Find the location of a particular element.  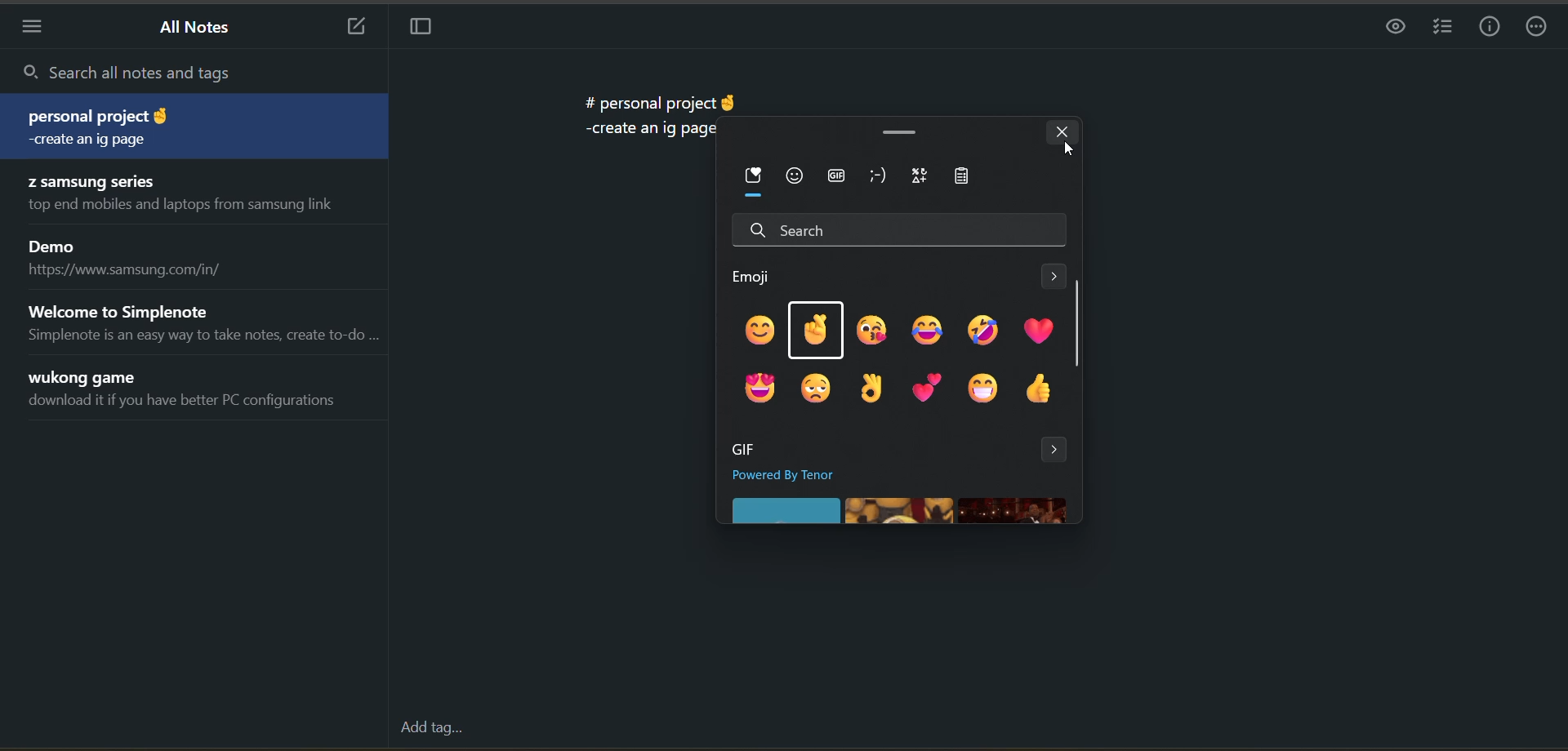

kaomoji is located at coordinates (882, 176).